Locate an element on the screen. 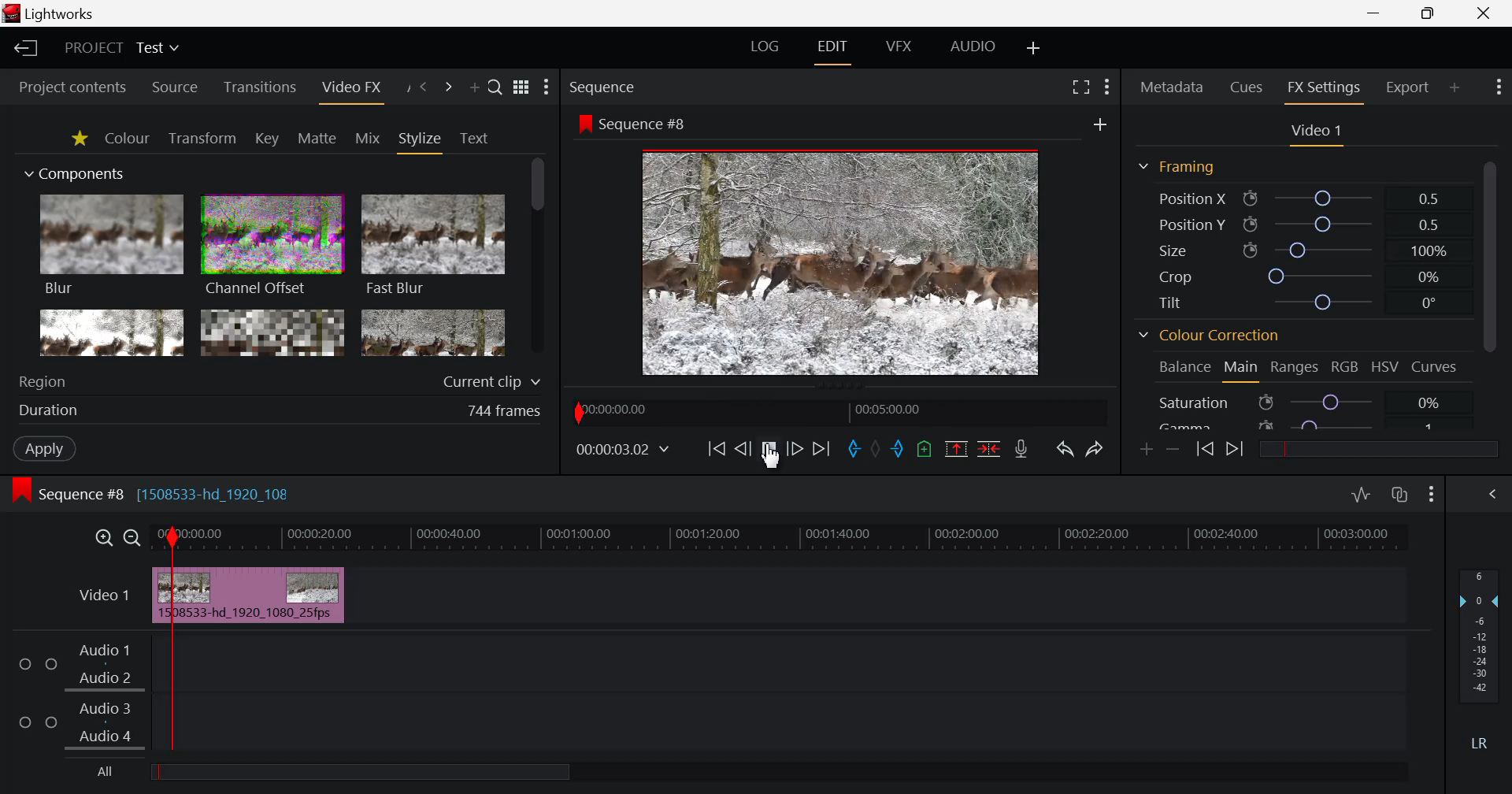  Go Forward is located at coordinates (795, 449).